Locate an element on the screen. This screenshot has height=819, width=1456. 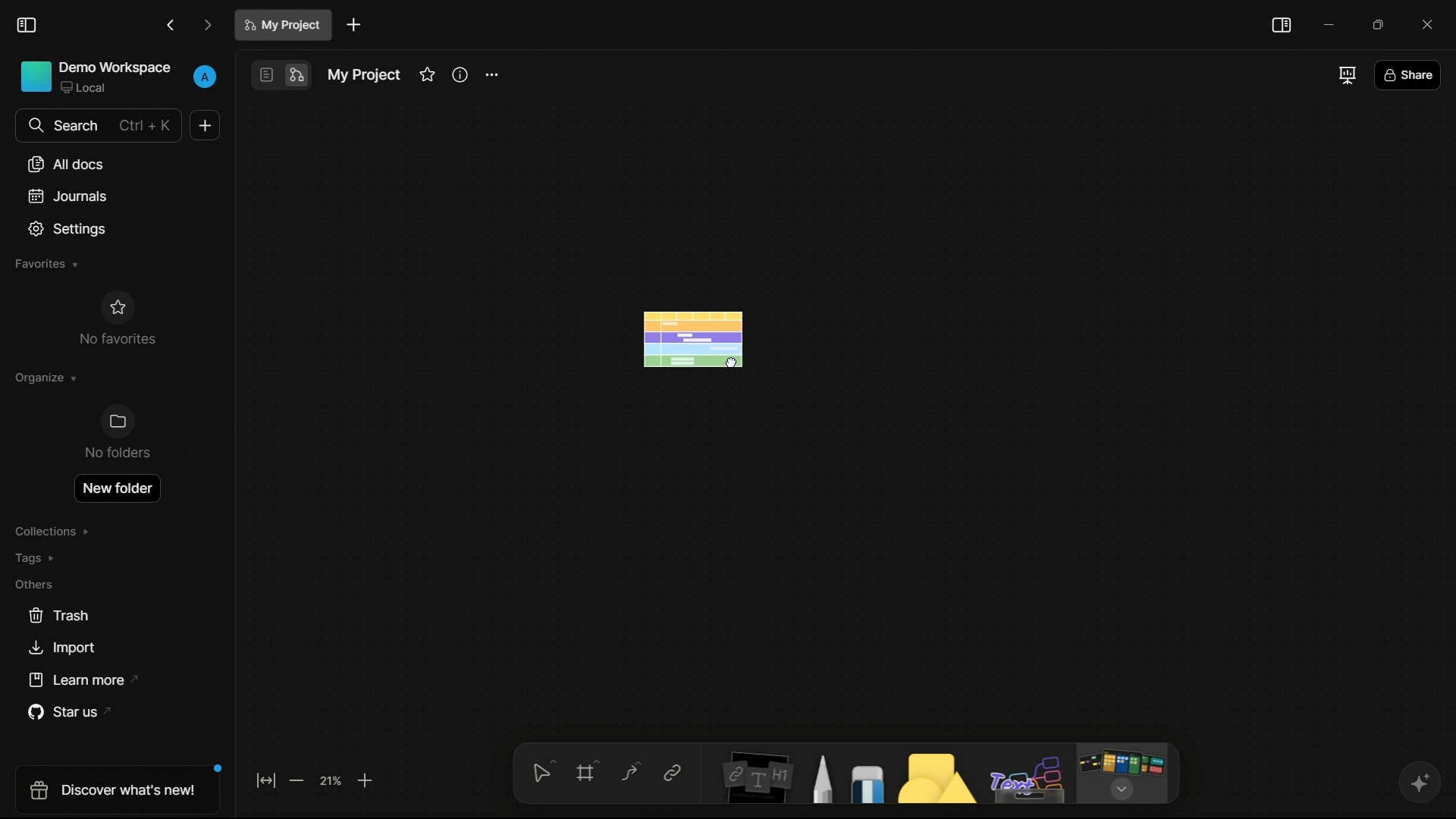
zoom factor is located at coordinates (333, 781).